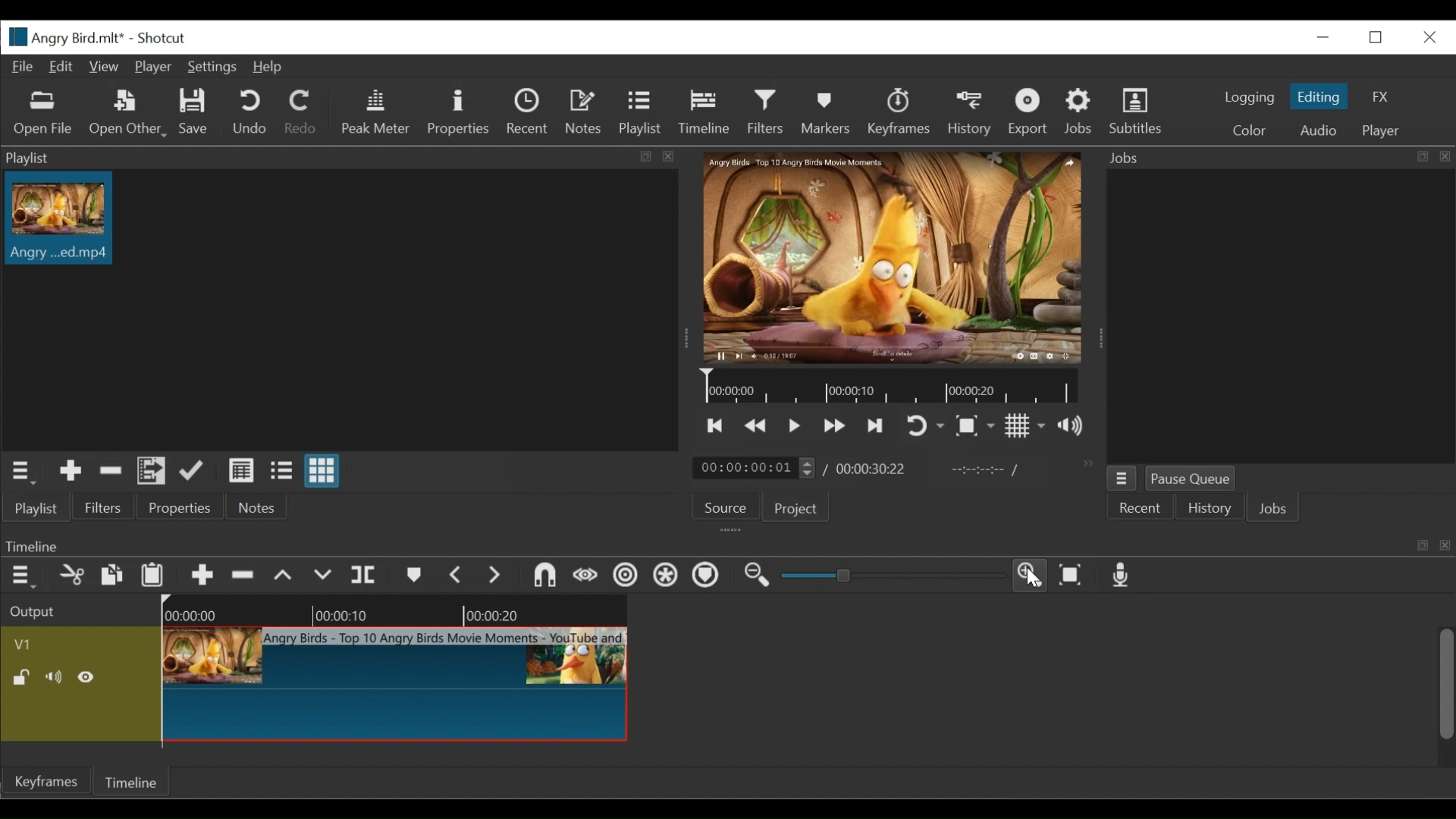 The image size is (1456, 819). Describe the element at coordinates (39, 609) in the screenshot. I see `Output` at that location.